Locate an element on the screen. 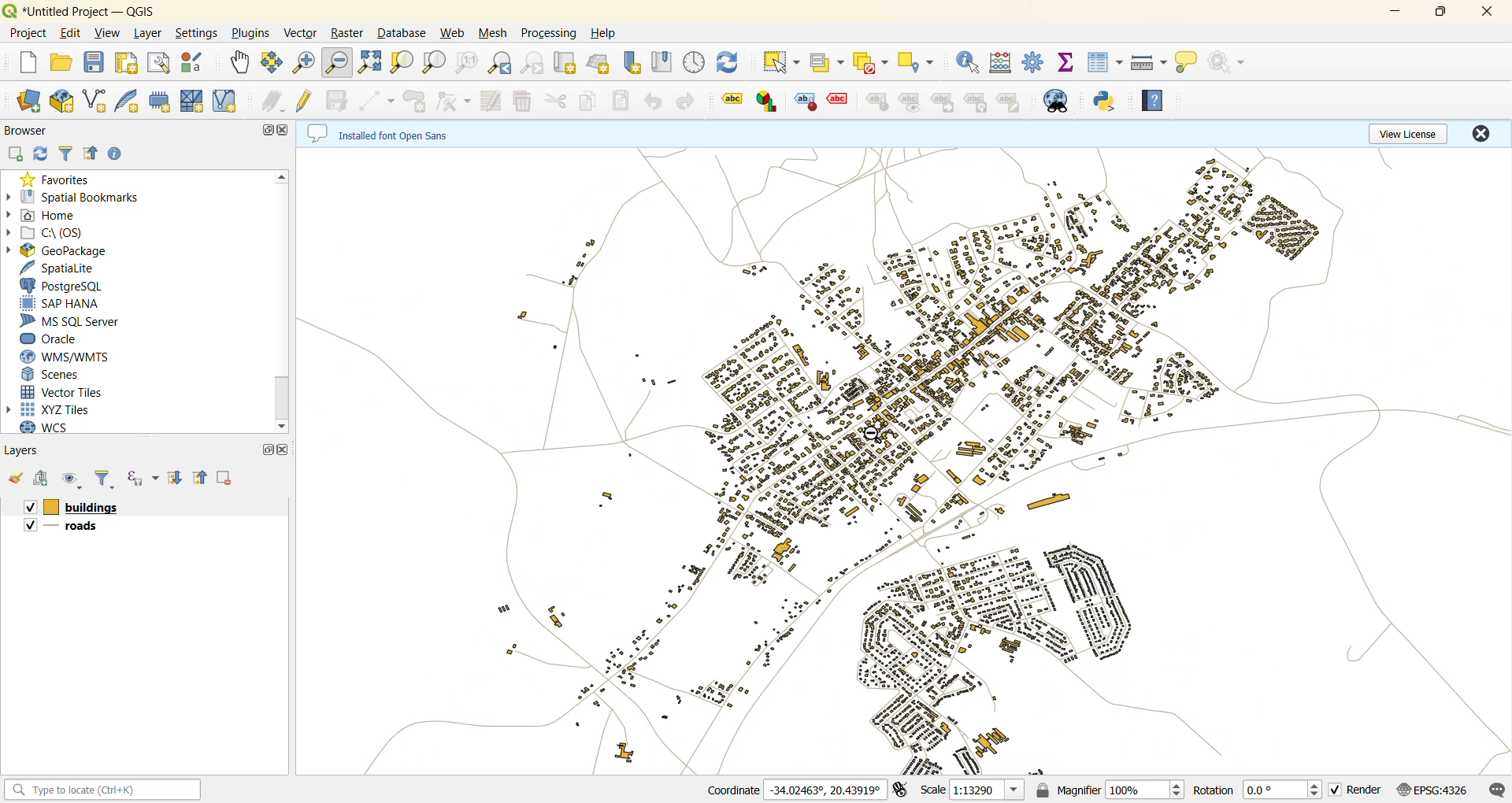  zoom full is located at coordinates (371, 63).